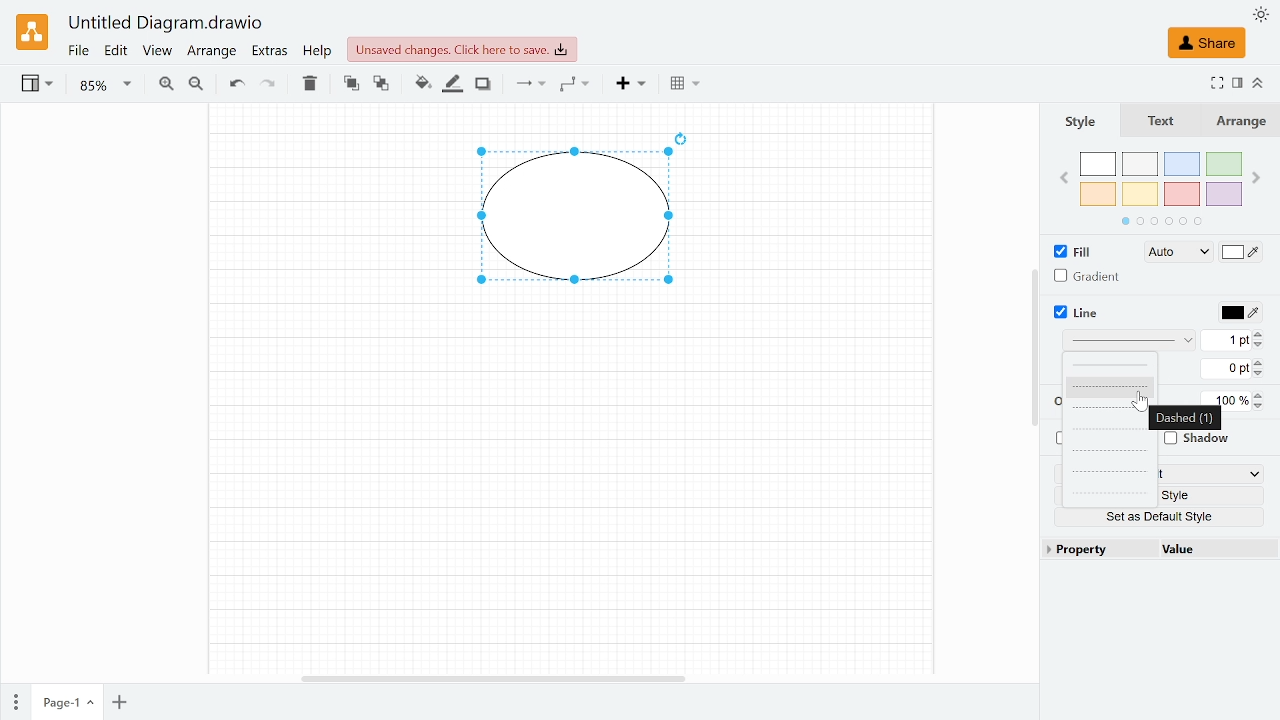 The image size is (1280, 720). I want to click on Shadow, so click(1199, 440).